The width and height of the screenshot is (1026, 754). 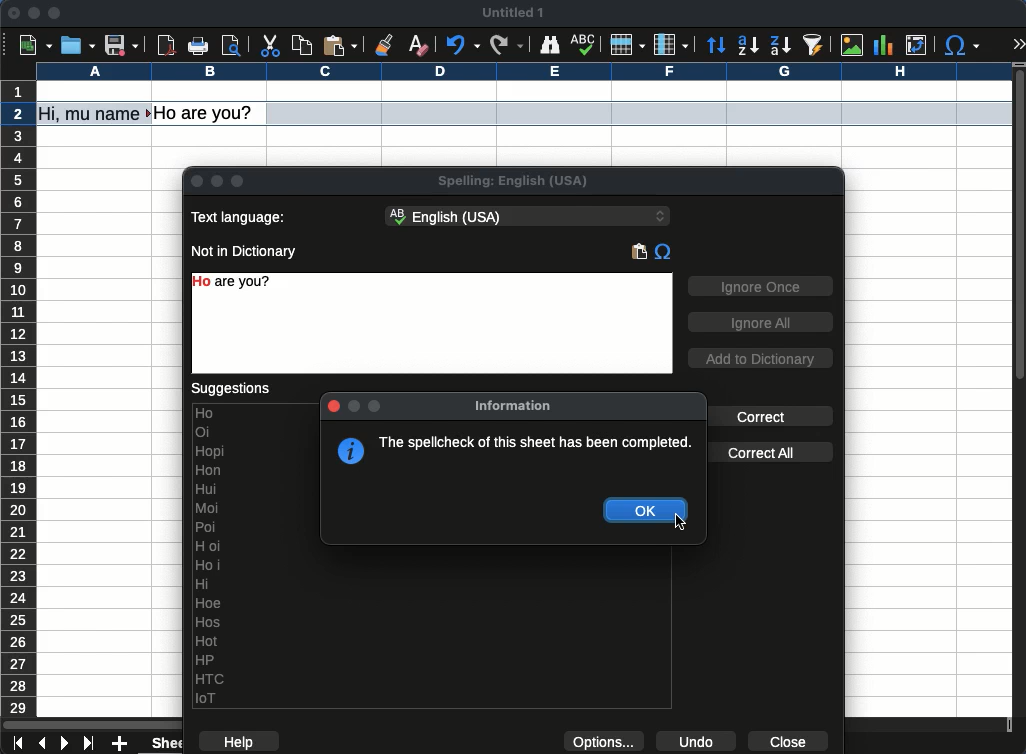 I want to click on previous sheet, so click(x=44, y=744).